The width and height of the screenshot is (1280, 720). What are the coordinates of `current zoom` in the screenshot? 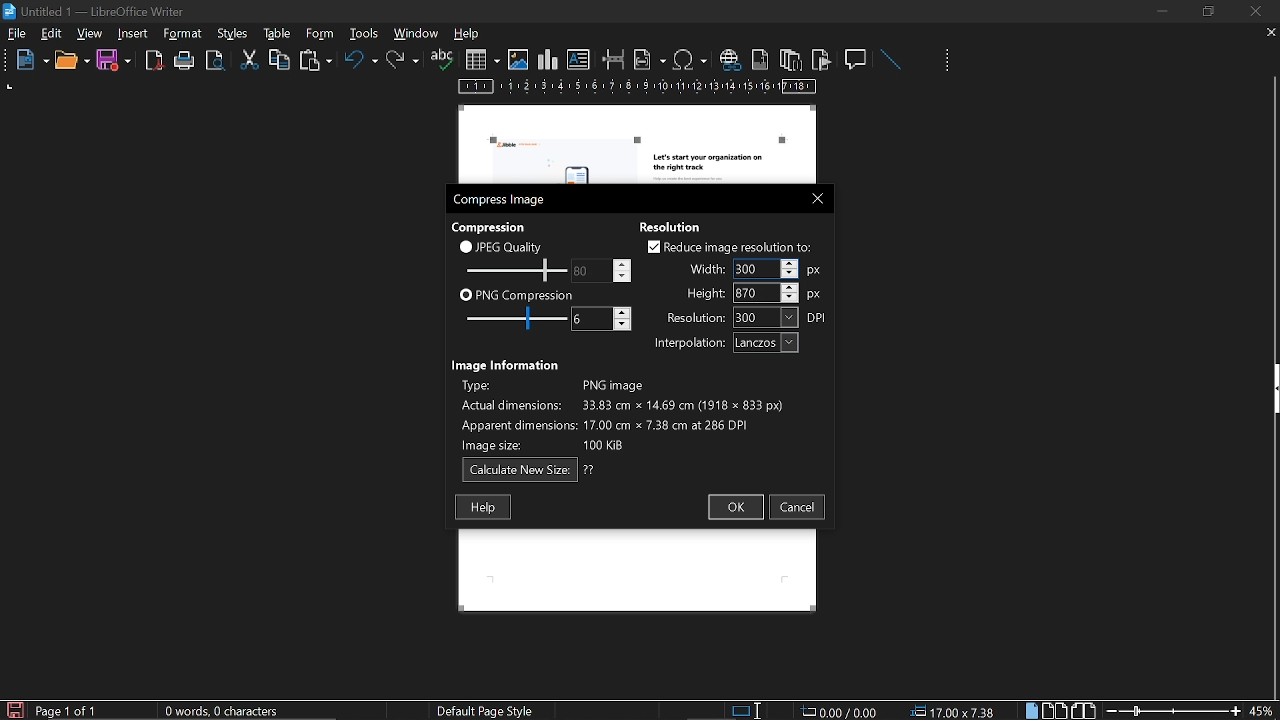 It's located at (1263, 710).